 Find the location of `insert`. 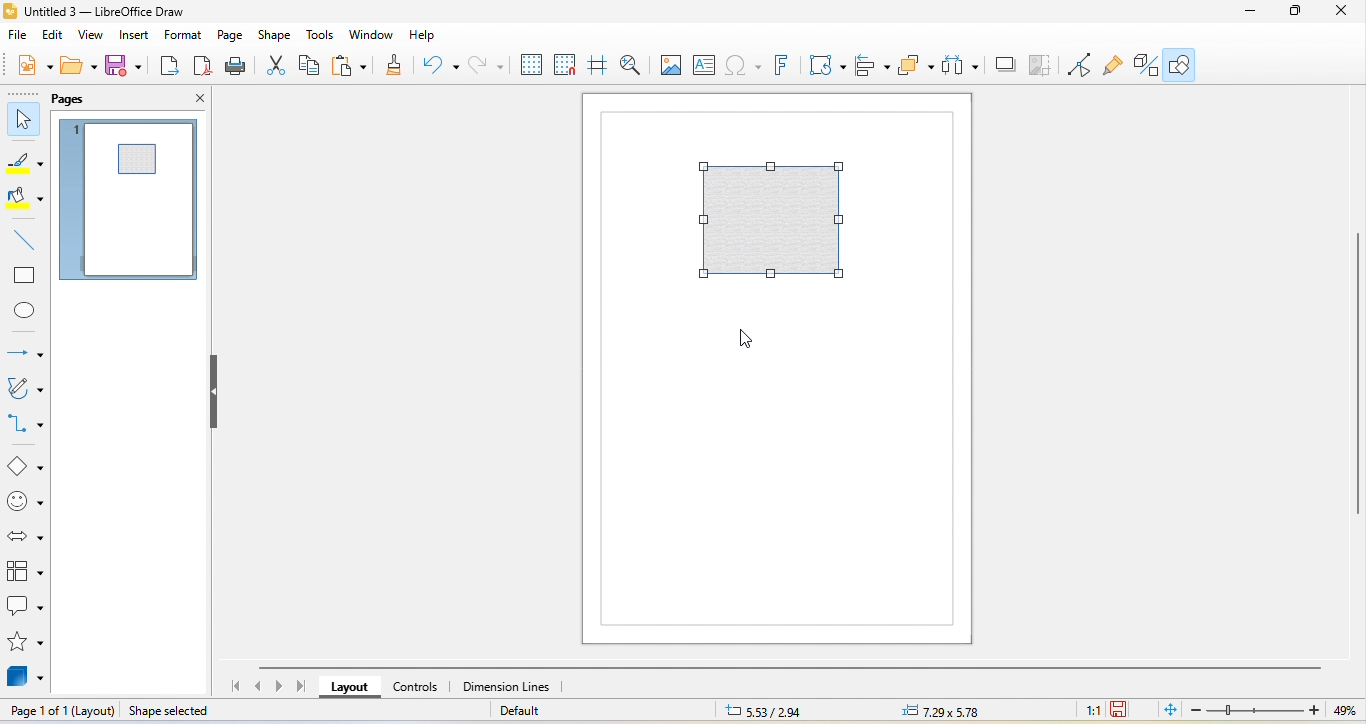

insert is located at coordinates (140, 35).